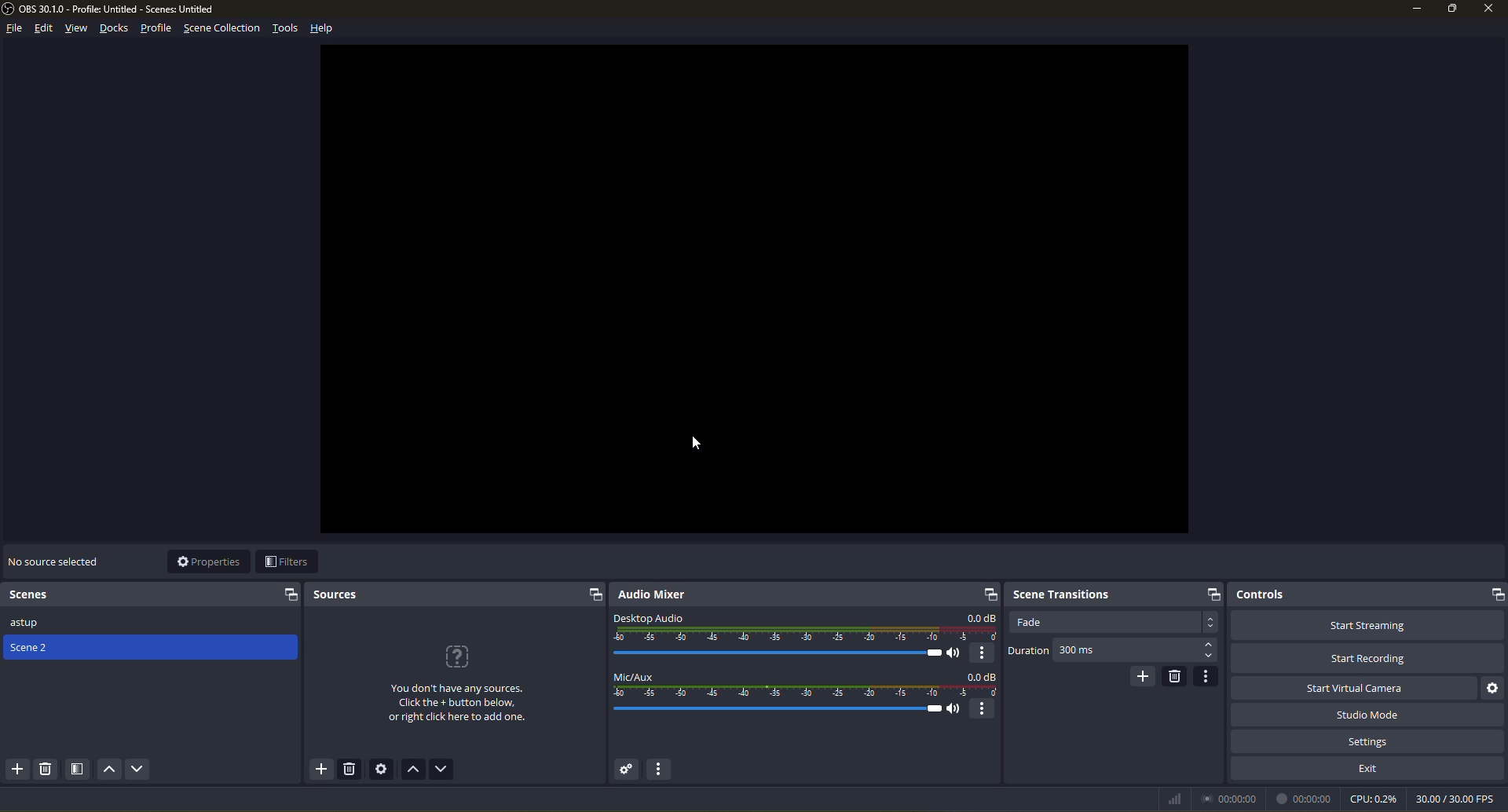 This screenshot has height=812, width=1508. Describe the element at coordinates (990, 594) in the screenshot. I see `expand` at that location.